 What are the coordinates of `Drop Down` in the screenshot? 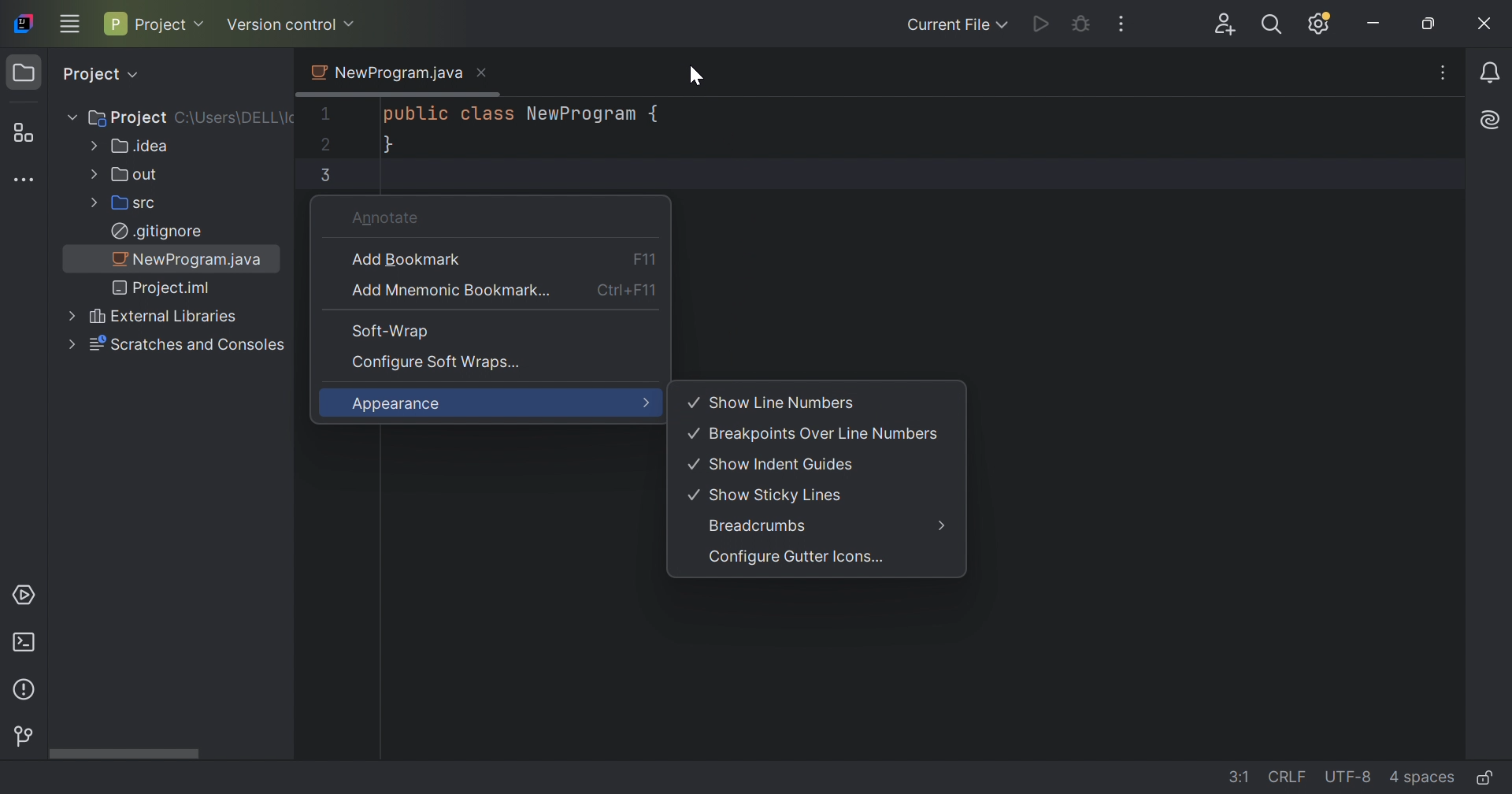 It's located at (93, 202).